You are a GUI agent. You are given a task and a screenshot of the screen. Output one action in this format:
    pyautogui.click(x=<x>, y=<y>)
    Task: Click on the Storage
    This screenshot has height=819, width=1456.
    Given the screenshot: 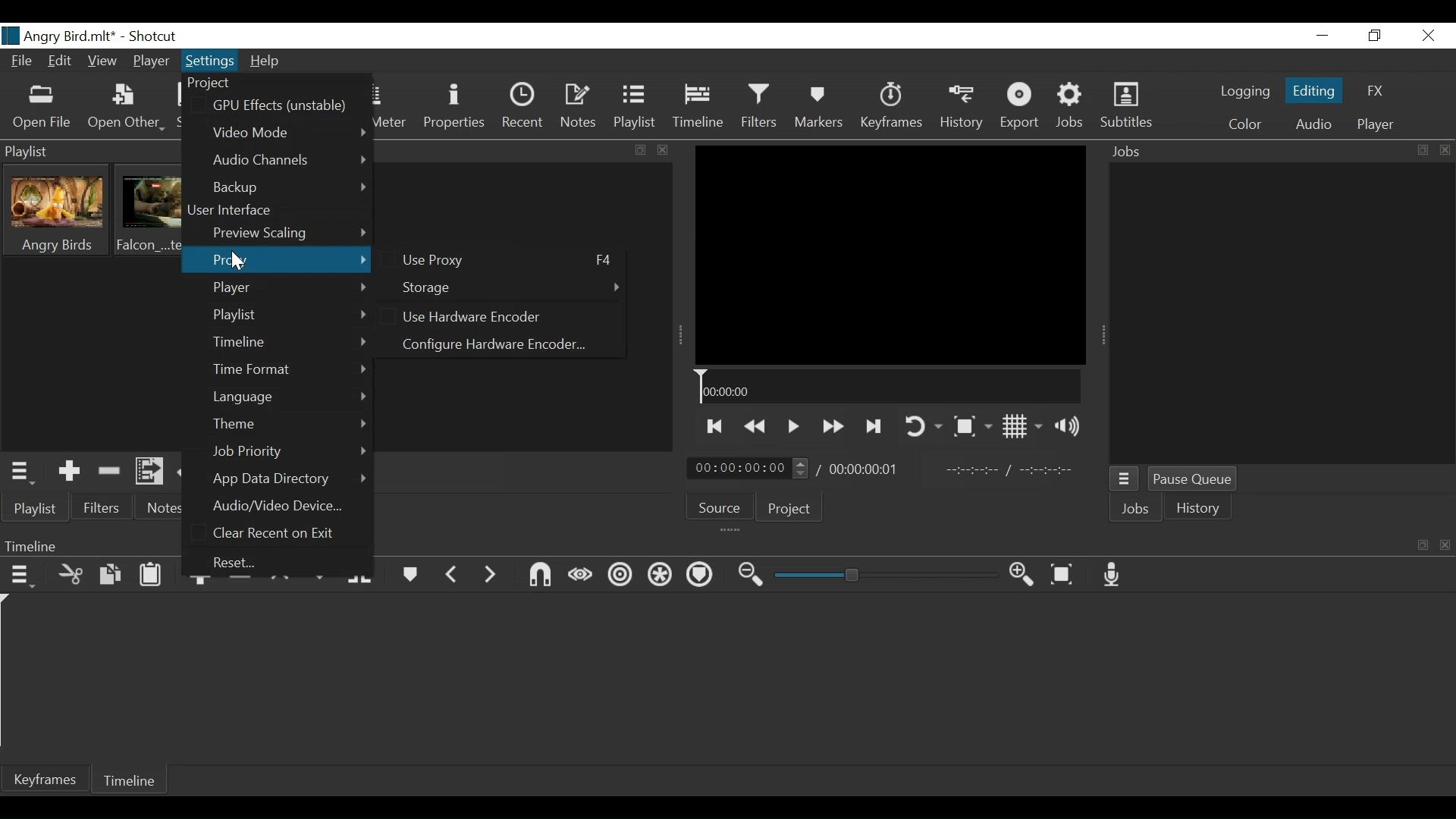 What is the action you would take?
    pyautogui.click(x=504, y=288)
    